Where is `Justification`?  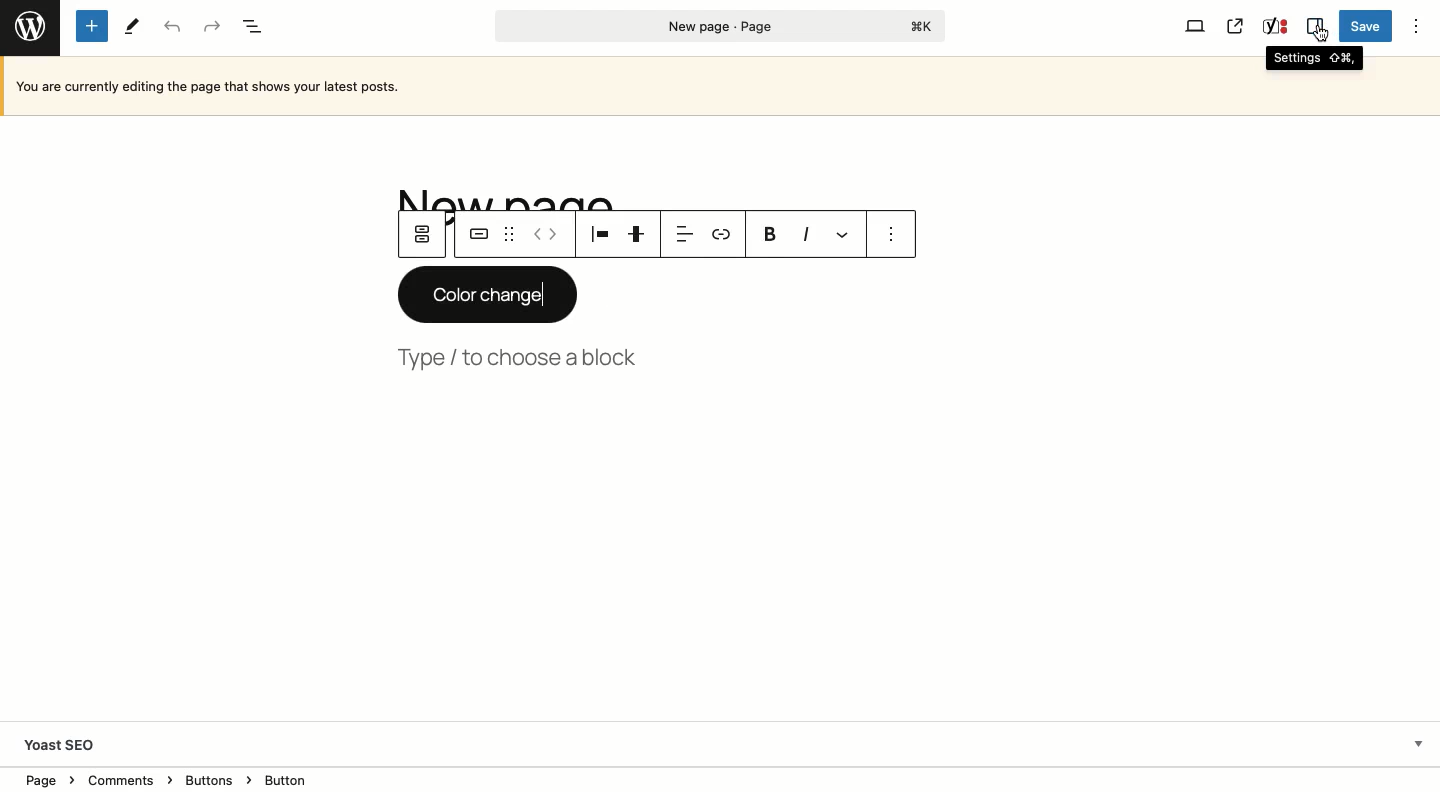
Justification is located at coordinates (638, 235).